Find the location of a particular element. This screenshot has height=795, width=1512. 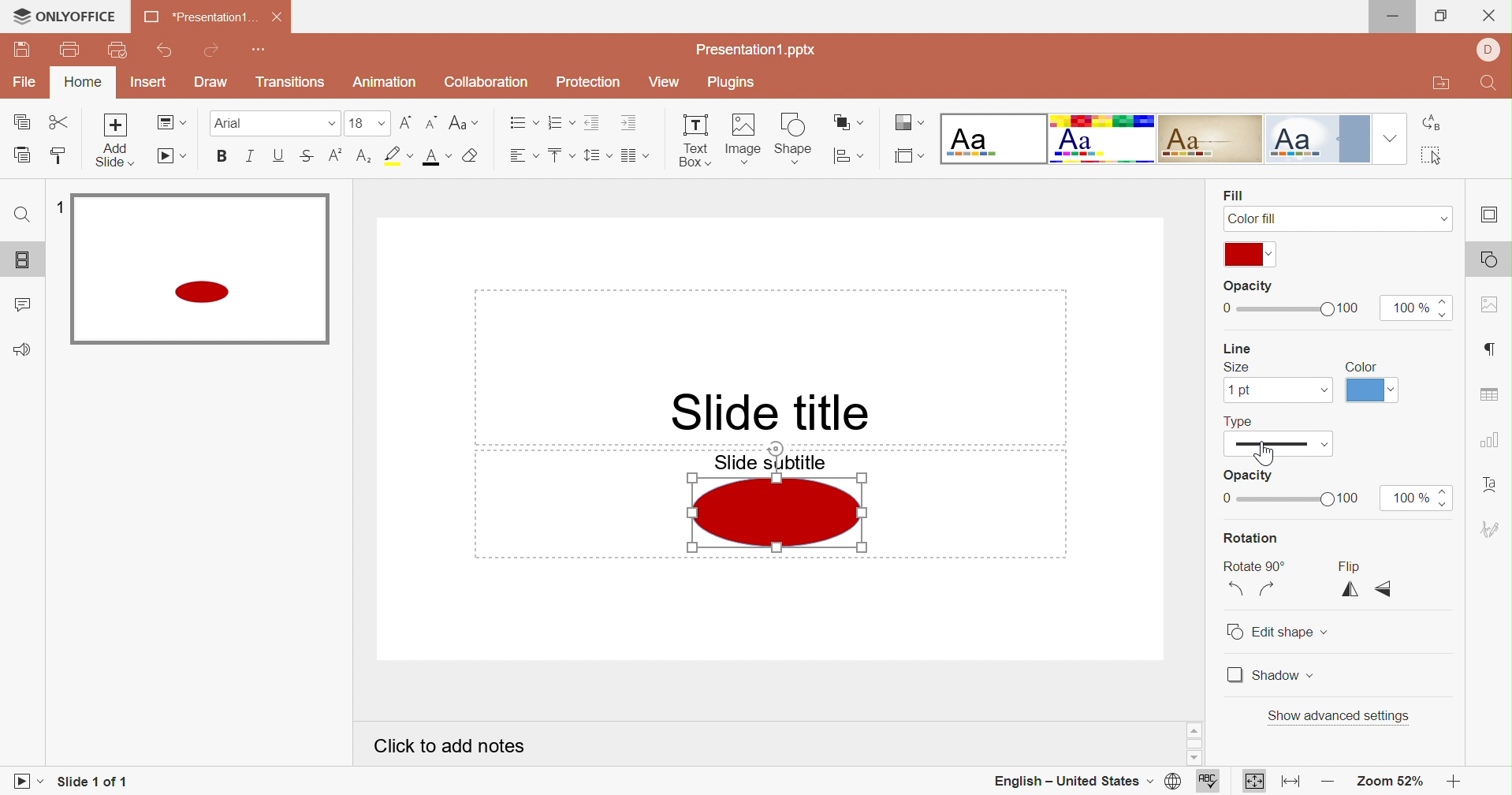

Draw is located at coordinates (212, 82).